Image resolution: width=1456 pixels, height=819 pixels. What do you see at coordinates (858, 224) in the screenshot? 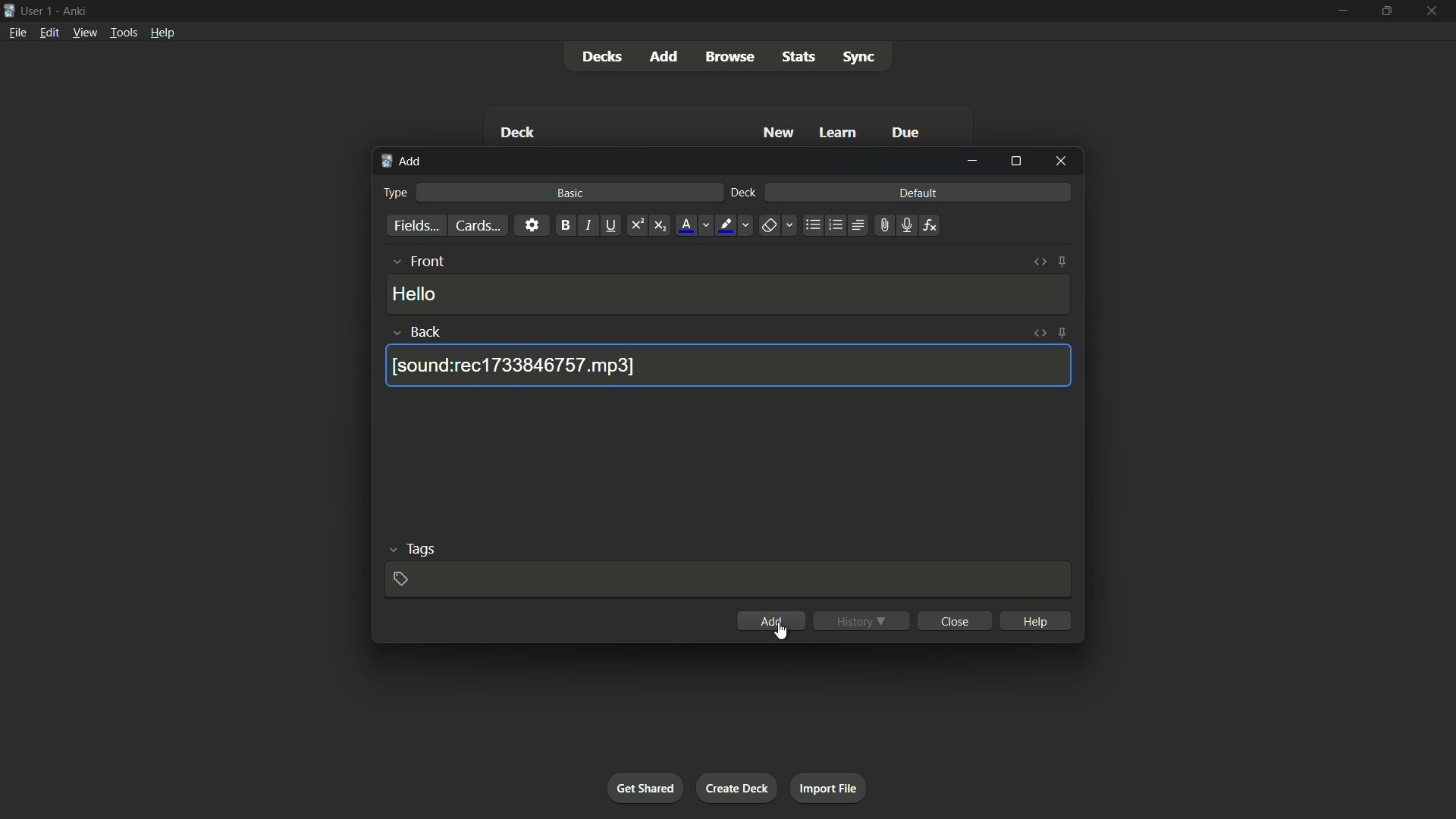
I see `alignment` at bounding box center [858, 224].